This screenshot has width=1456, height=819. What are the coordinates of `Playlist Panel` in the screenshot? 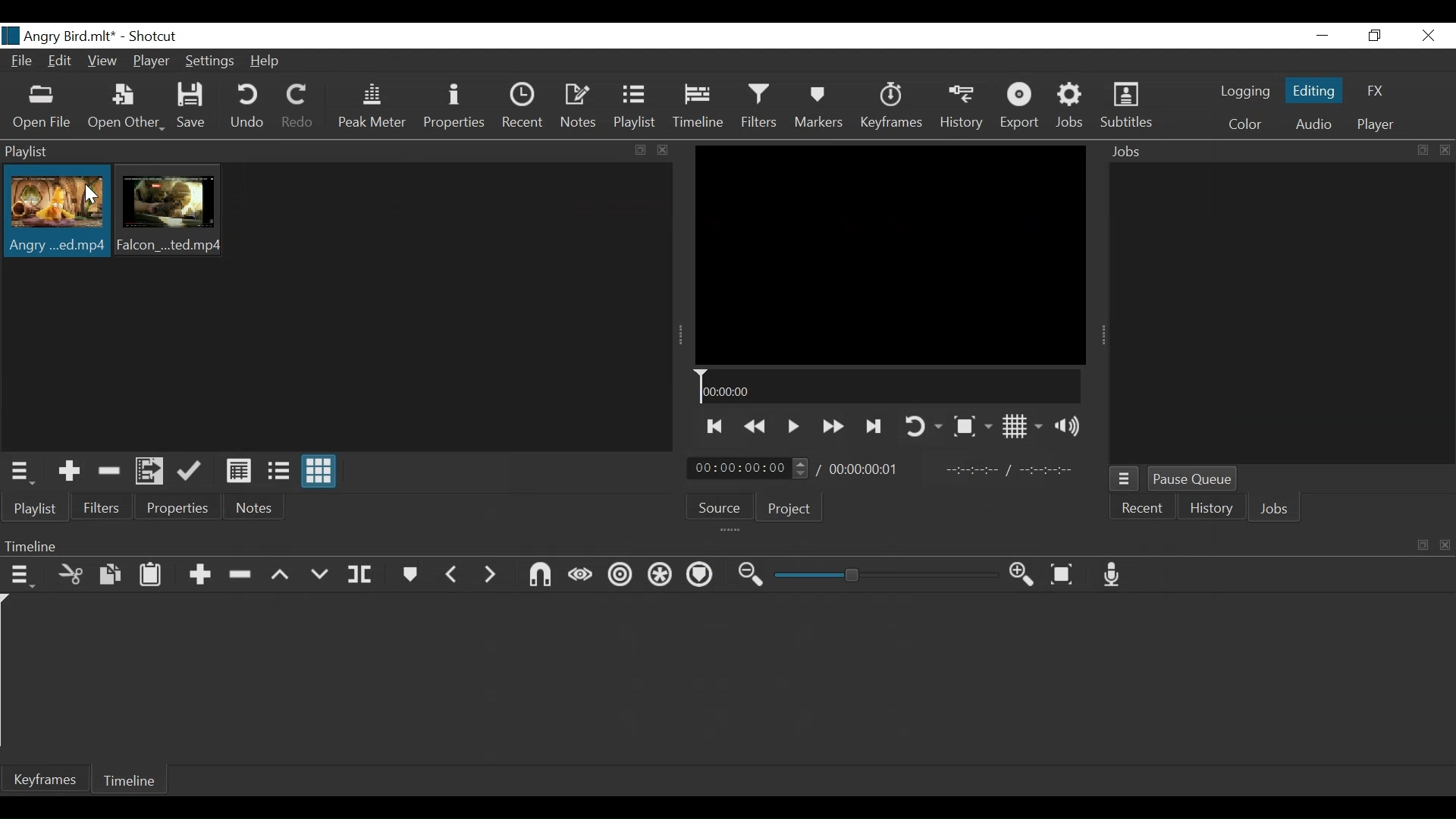 It's located at (338, 152).